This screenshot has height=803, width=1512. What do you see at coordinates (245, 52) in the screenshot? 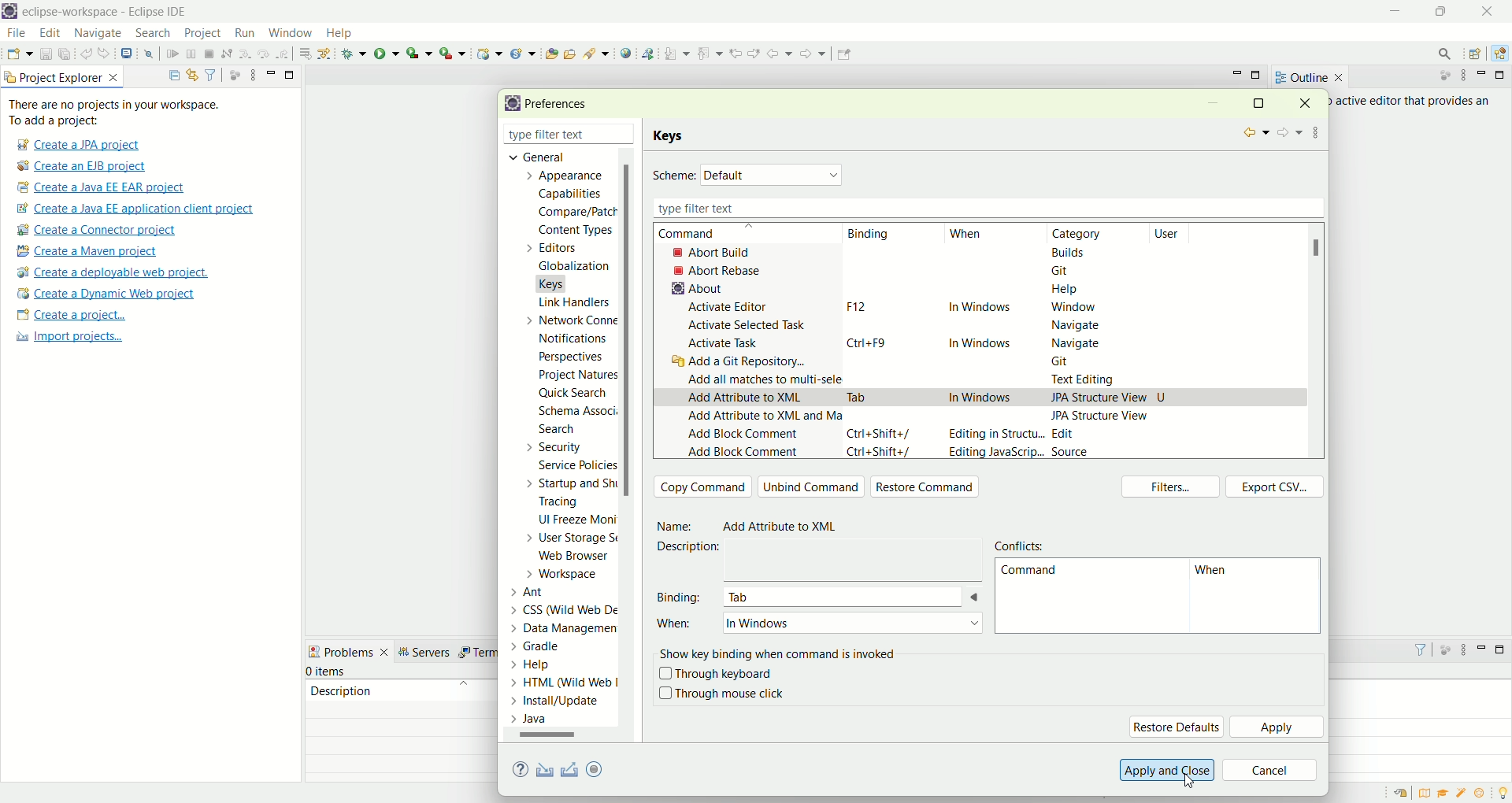
I see `step into` at bounding box center [245, 52].